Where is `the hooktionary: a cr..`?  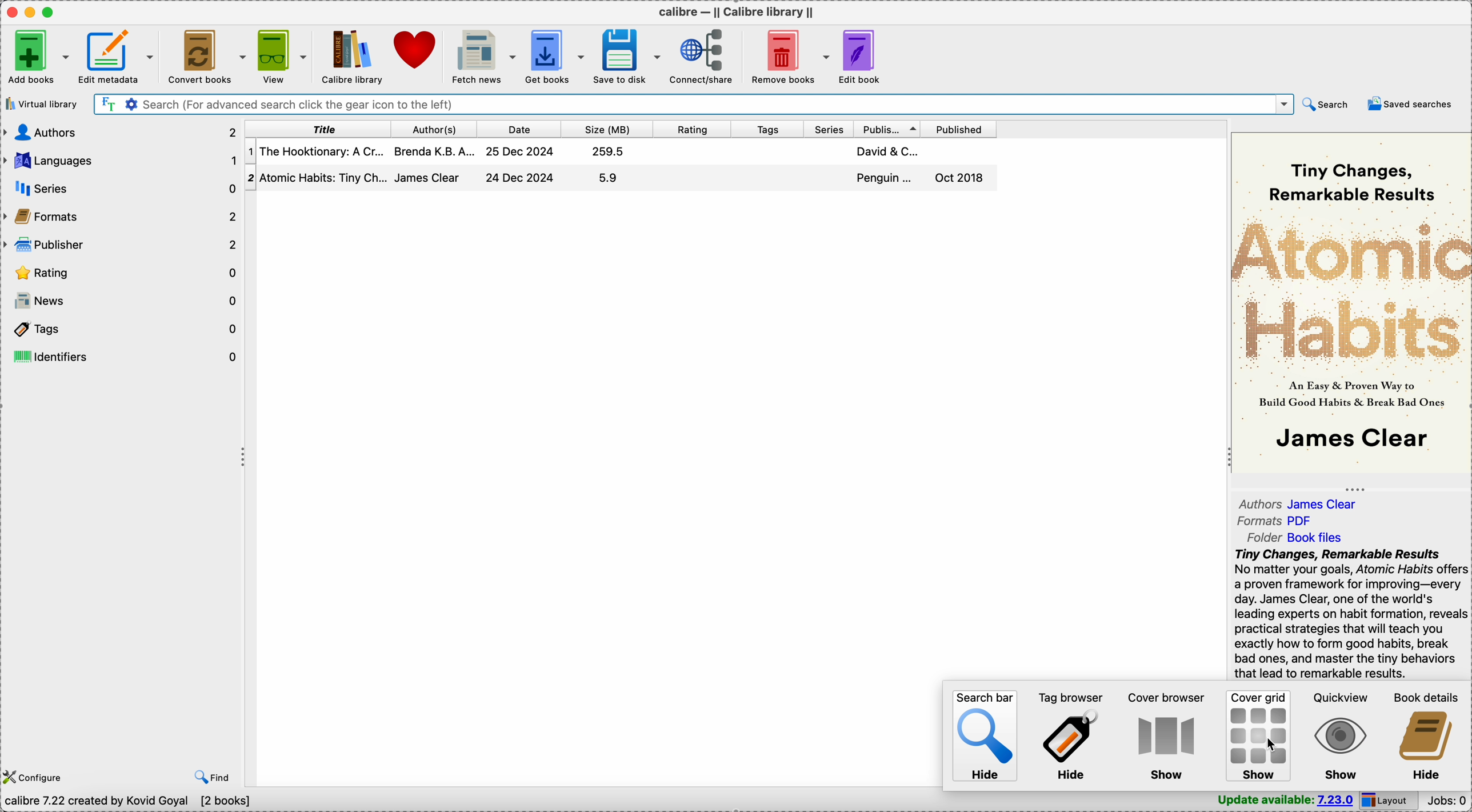
the hooktionary: a cr.. is located at coordinates (323, 152).